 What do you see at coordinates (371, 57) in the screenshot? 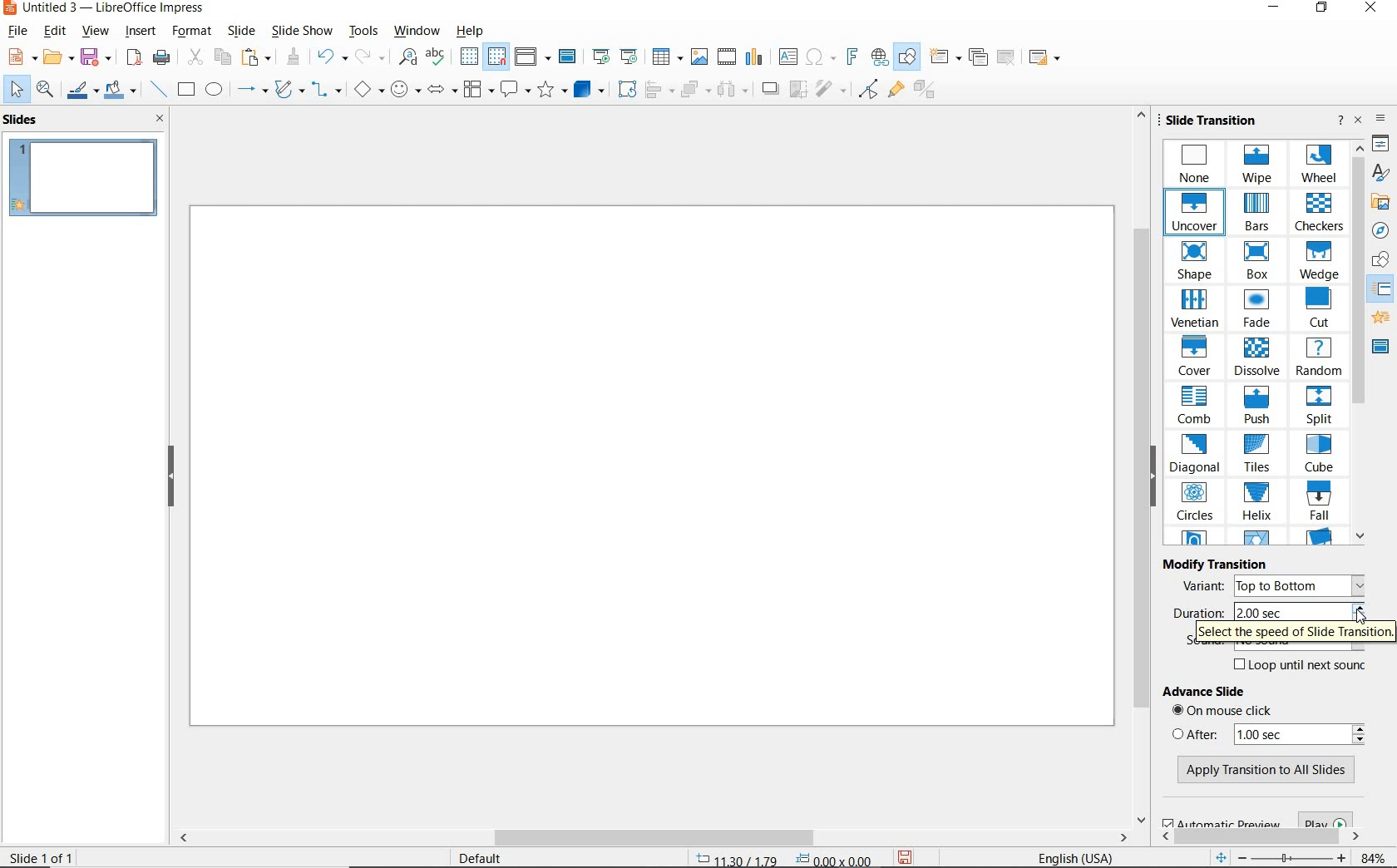
I see `REDO` at bounding box center [371, 57].